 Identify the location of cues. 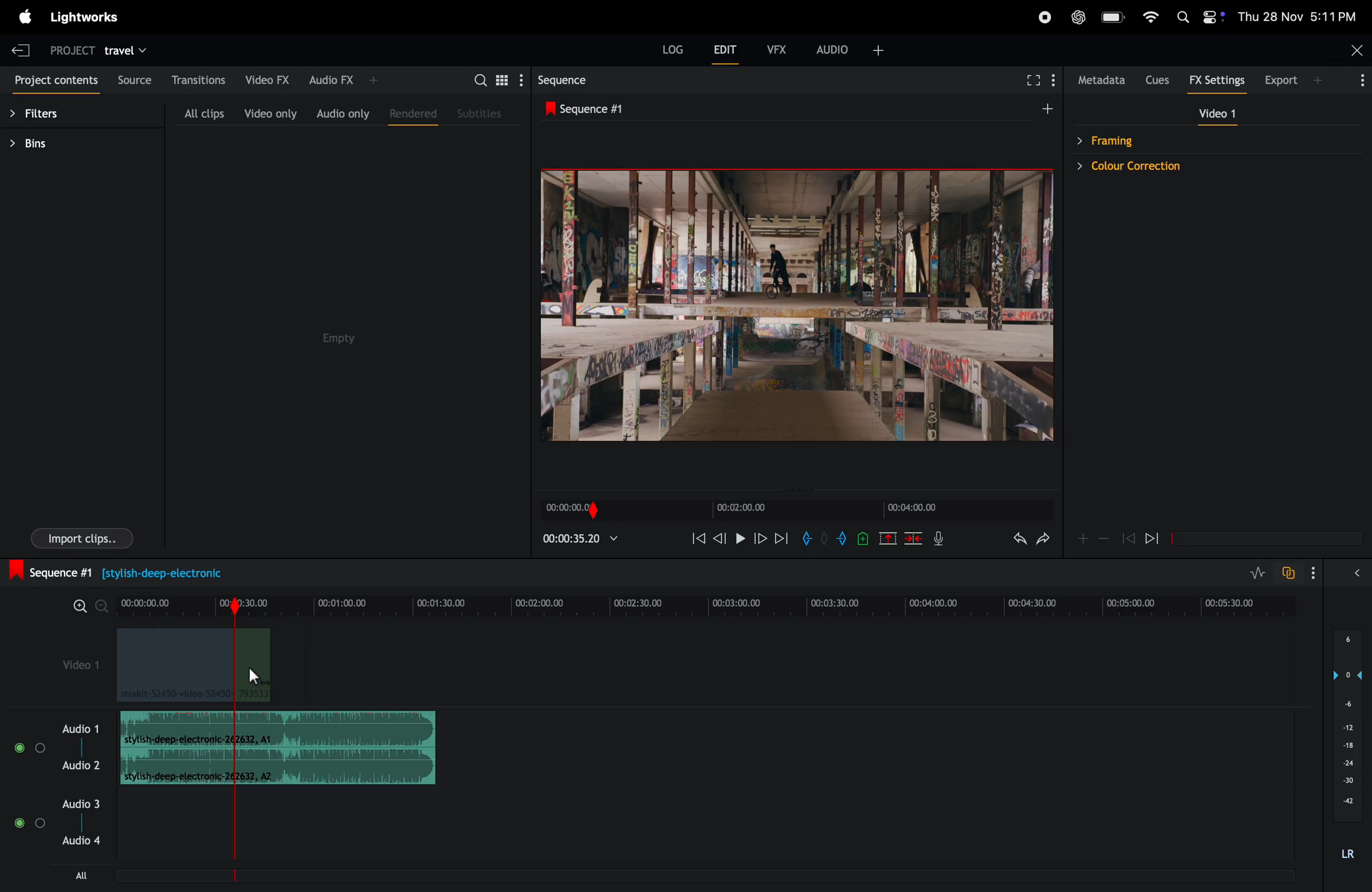
(1156, 80).